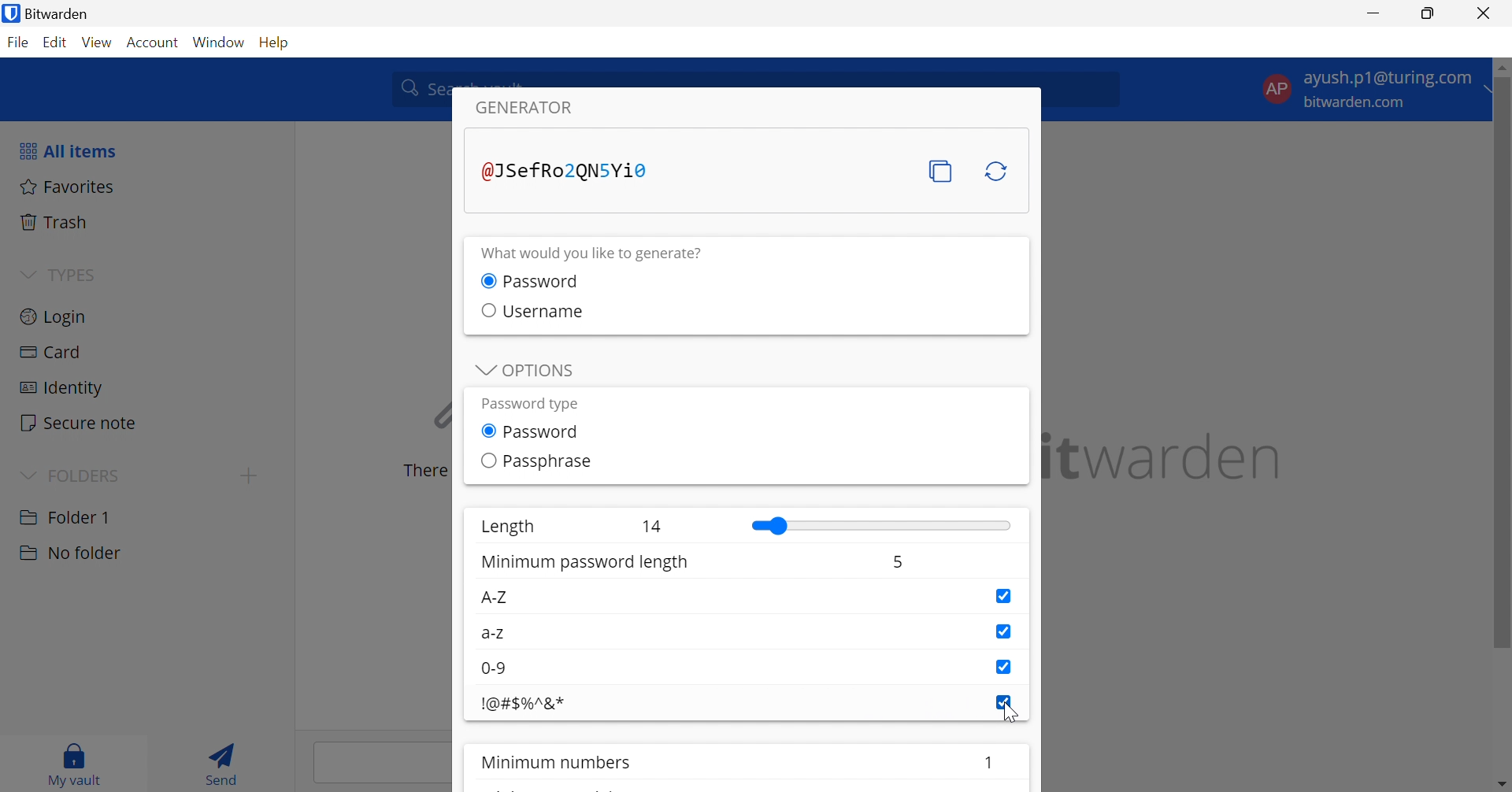 The height and width of the screenshot is (792, 1512). What do you see at coordinates (1503, 68) in the screenshot?
I see `move up` at bounding box center [1503, 68].